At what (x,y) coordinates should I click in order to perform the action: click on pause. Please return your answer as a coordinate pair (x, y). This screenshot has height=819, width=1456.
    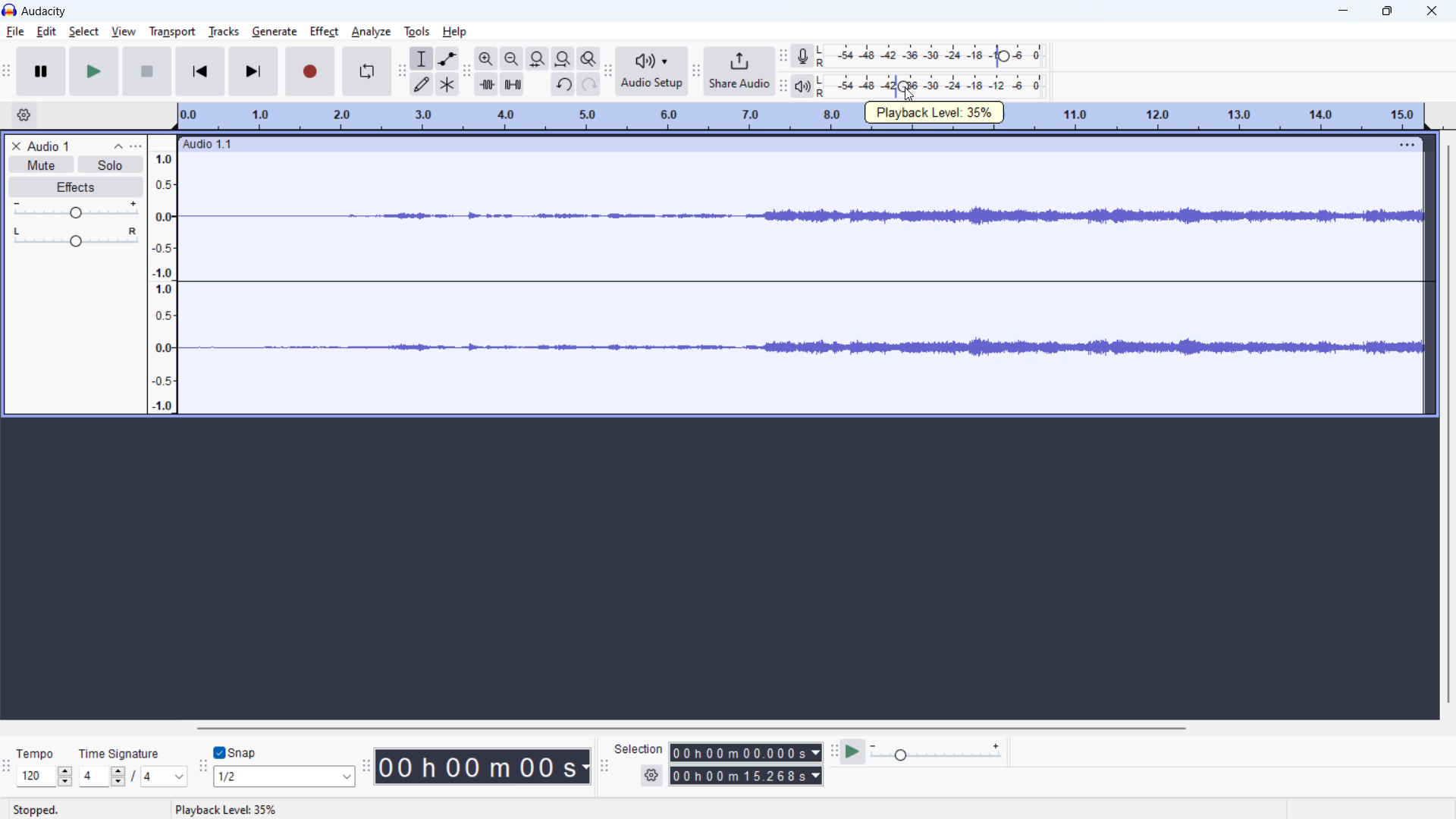
    Looking at the image, I should click on (41, 71).